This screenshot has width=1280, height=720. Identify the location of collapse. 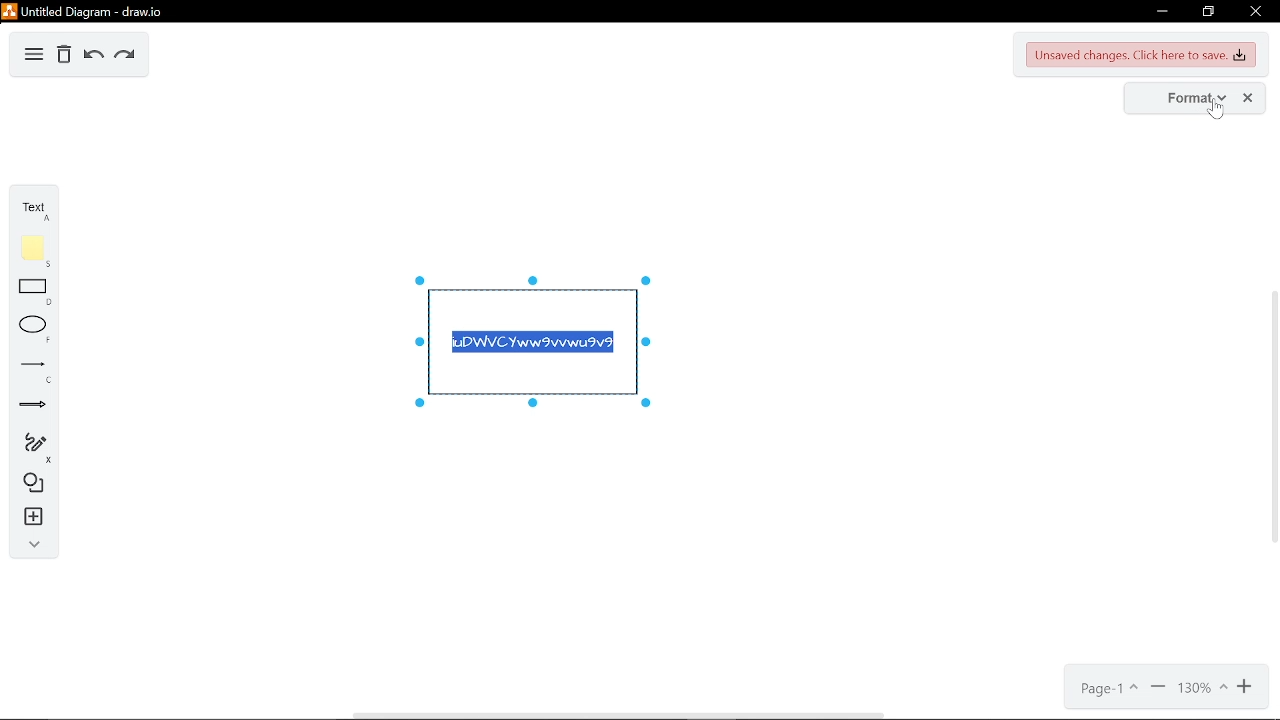
(29, 548).